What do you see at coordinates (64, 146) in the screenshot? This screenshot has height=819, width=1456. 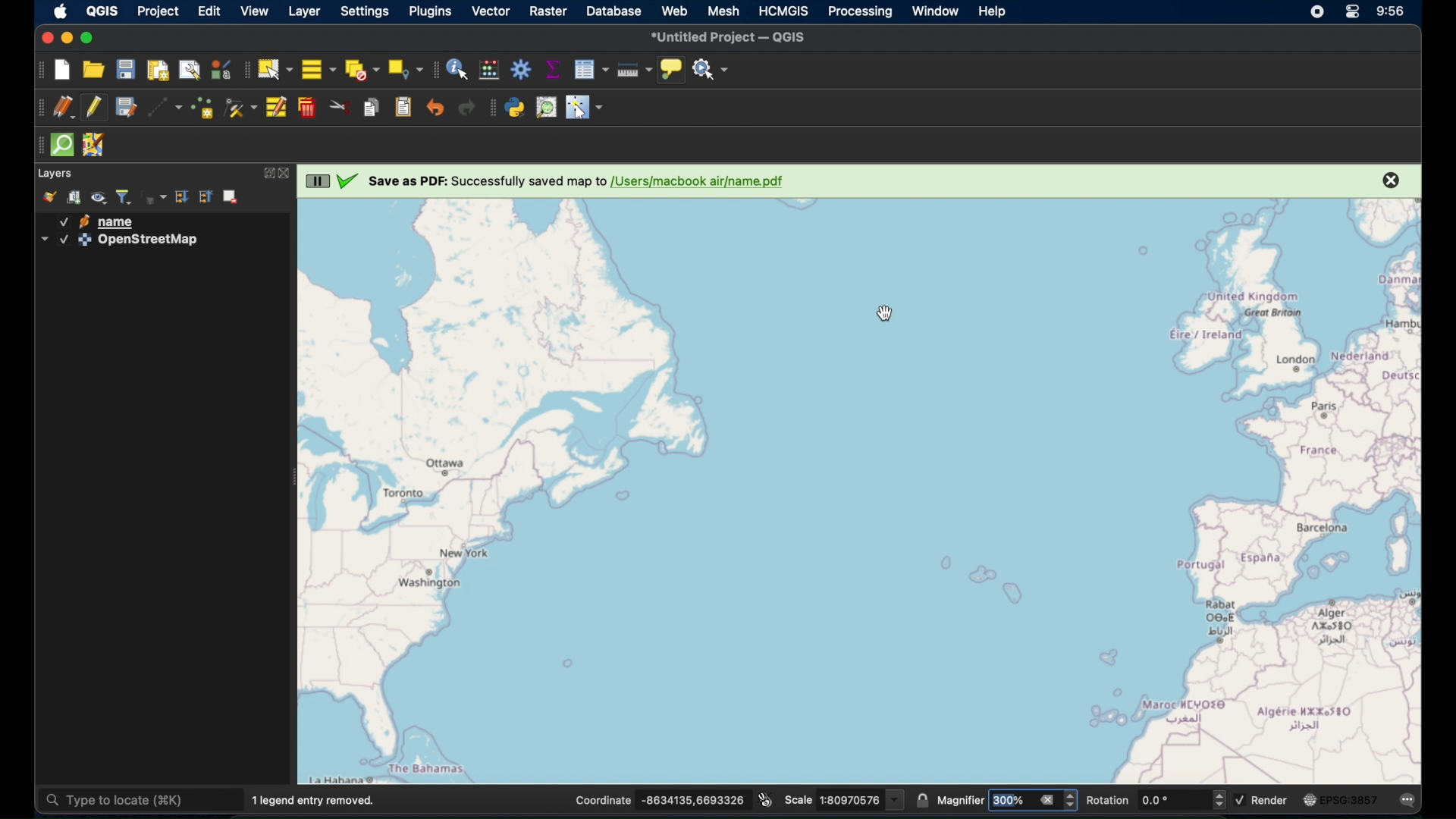 I see `quick som` at bounding box center [64, 146].